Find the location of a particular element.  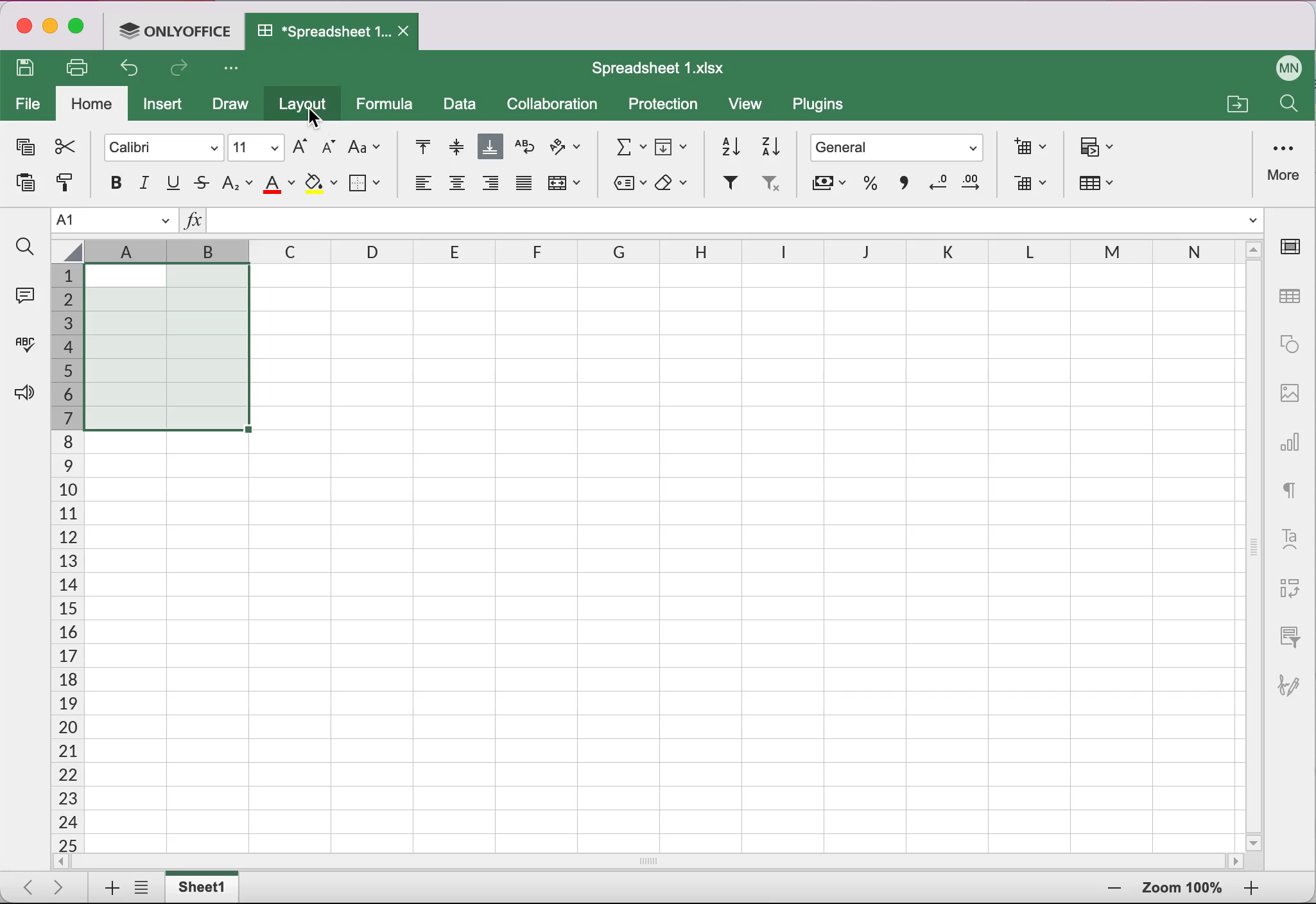

underline is located at coordinates (175, 184).